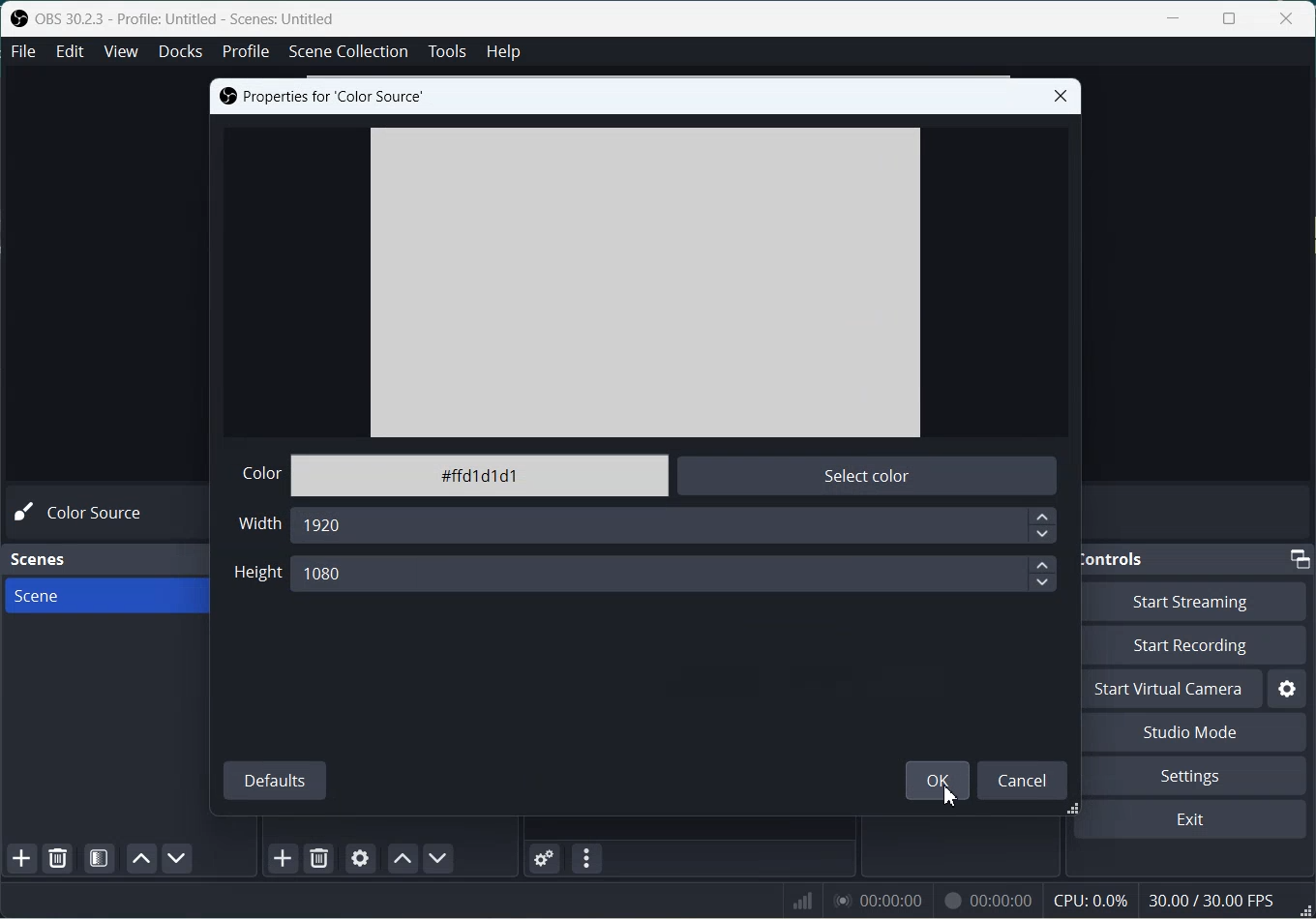  I want to click on Controls, so click(1119, 558).